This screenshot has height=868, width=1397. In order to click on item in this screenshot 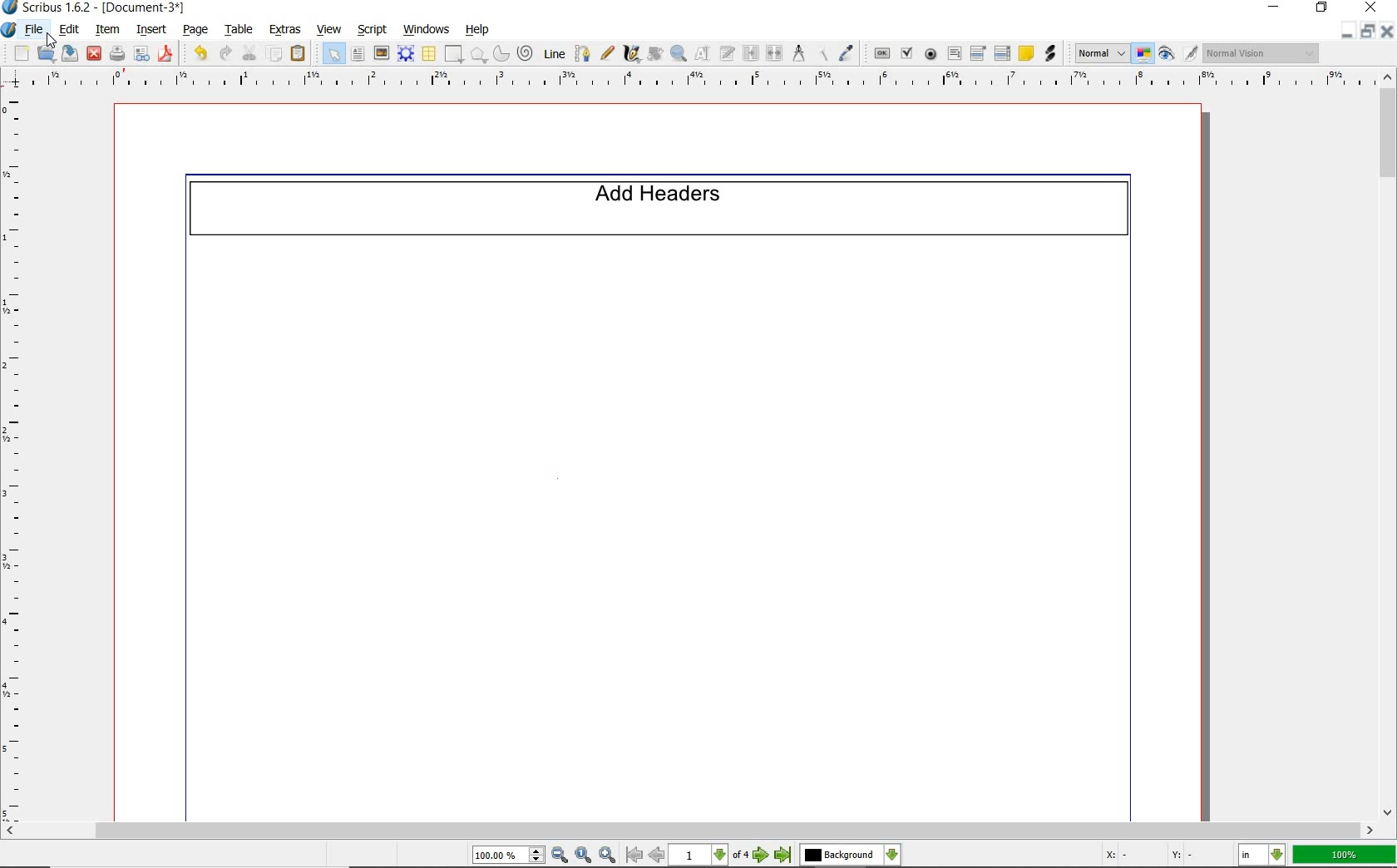, I will do `click(107, 31)`.